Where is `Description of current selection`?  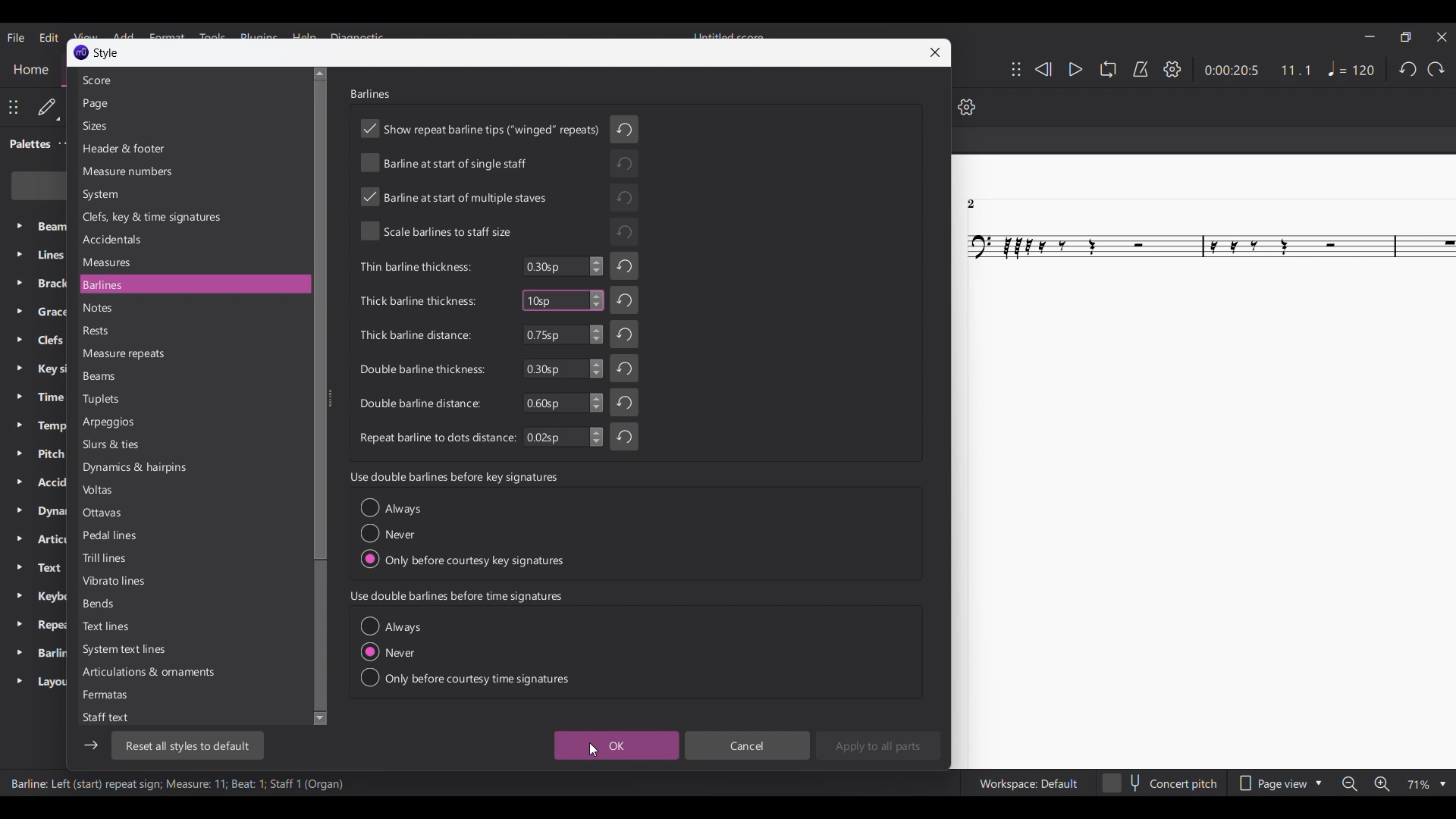
Description of current selection is located at coordinates (178, 783).